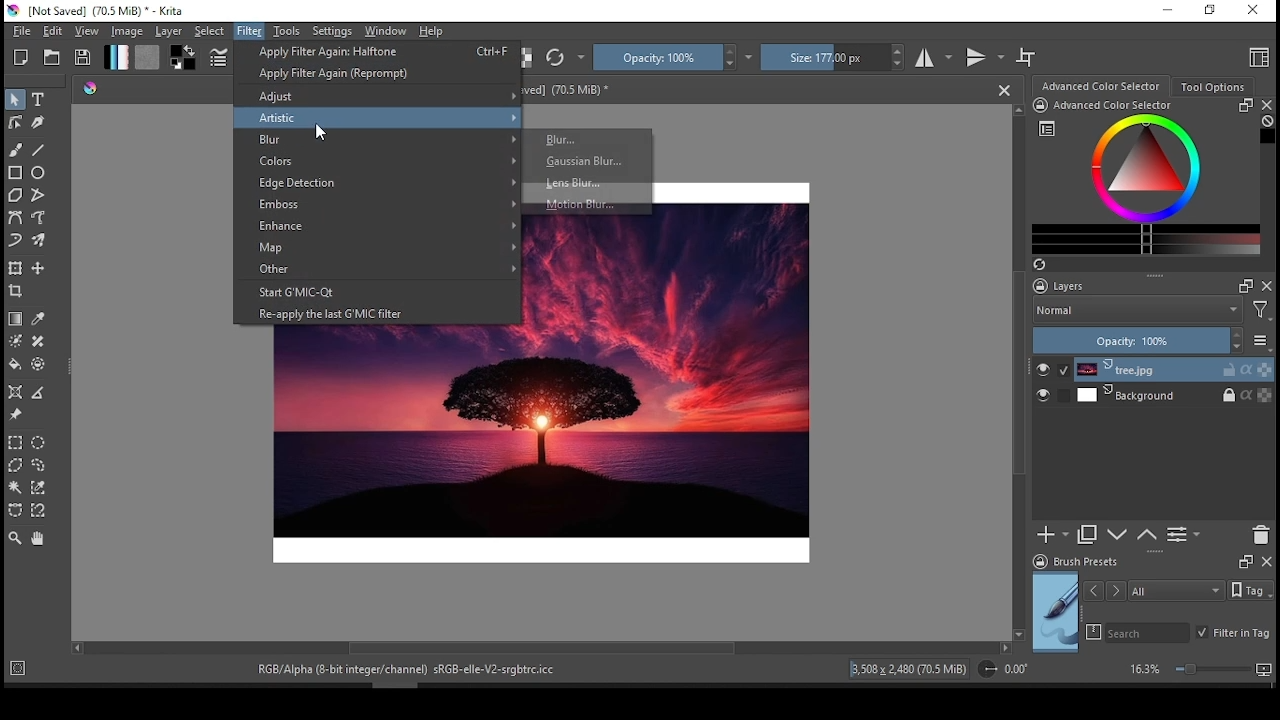  What do you see at coordinates (379, 182) in the screenshot?
I see `edge detection` at bounding box center [379, 182].